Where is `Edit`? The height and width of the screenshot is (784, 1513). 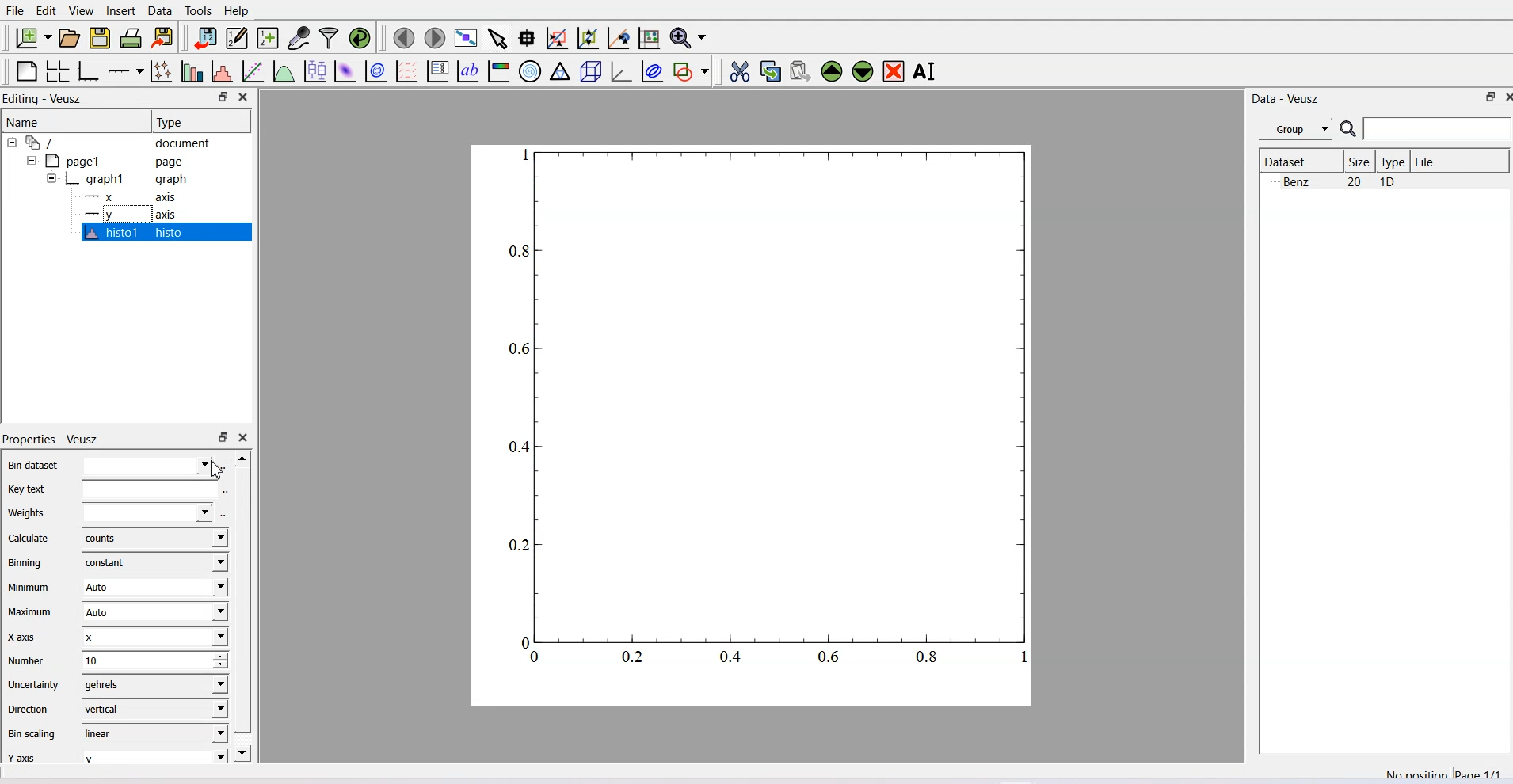 Edit is located at coordinates (47, 11).